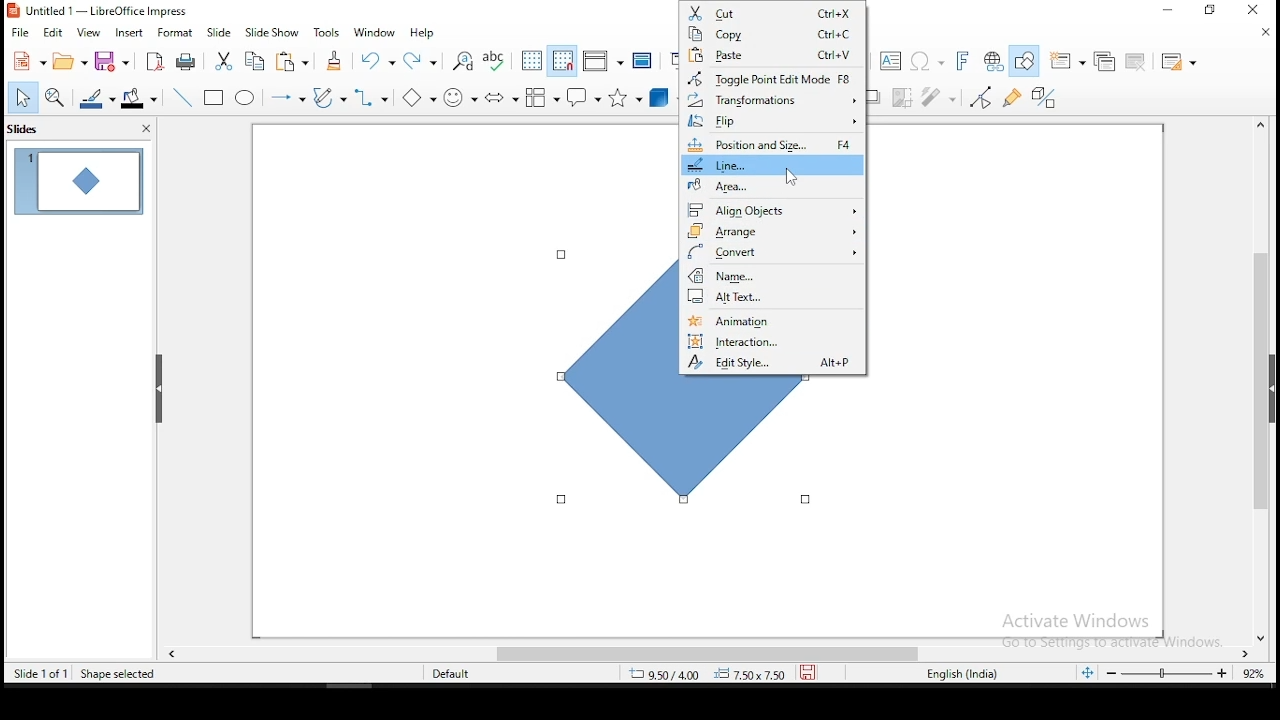  What do you see at coordinates (51, 32) in the screenshot?
I see `edit` at bounding box center [51, 32].